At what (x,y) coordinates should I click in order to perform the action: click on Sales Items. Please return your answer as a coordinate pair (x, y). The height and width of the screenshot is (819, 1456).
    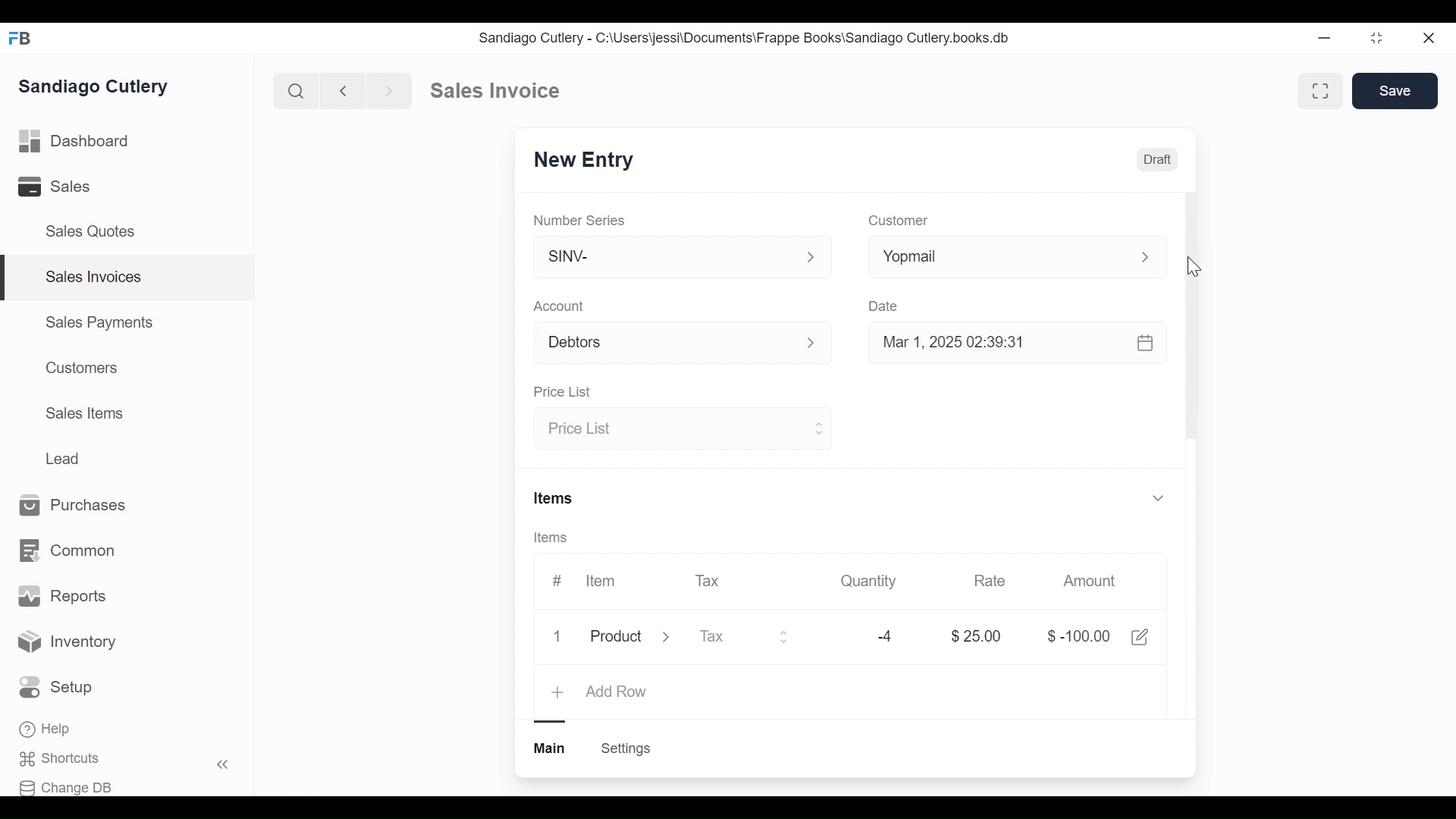
    Looking at the image, I should click on (84, 413).